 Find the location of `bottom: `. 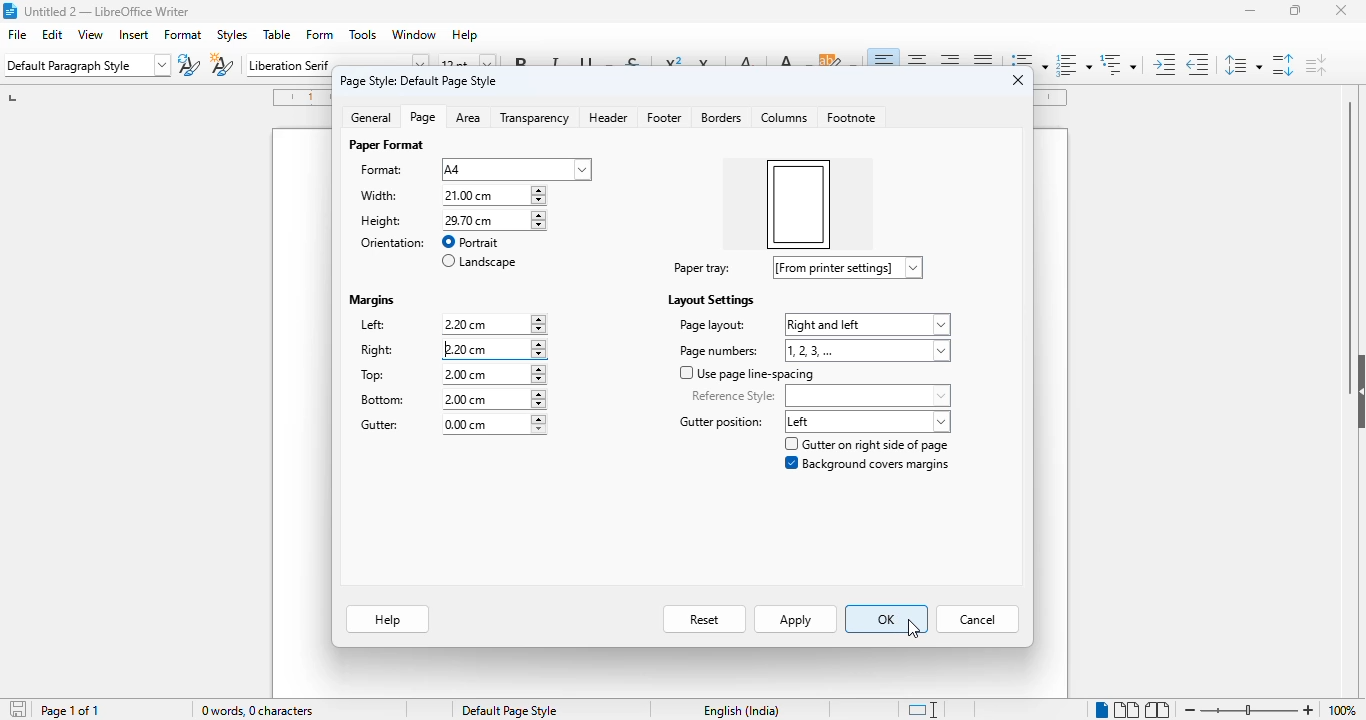

bottom:  is located at coordinates (382, 399).